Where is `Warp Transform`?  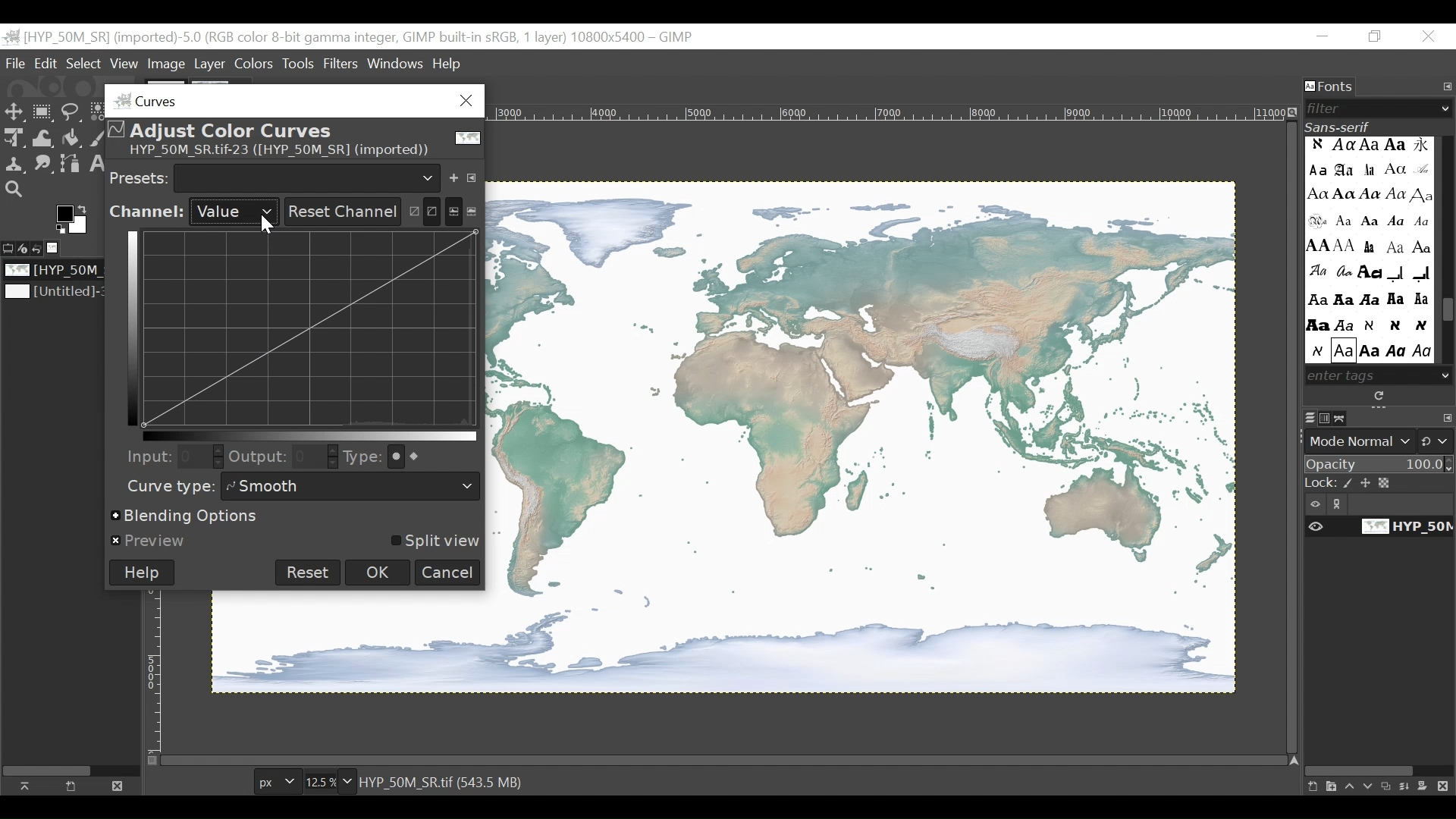
Warp Transform is located at coordinates (44, 139).